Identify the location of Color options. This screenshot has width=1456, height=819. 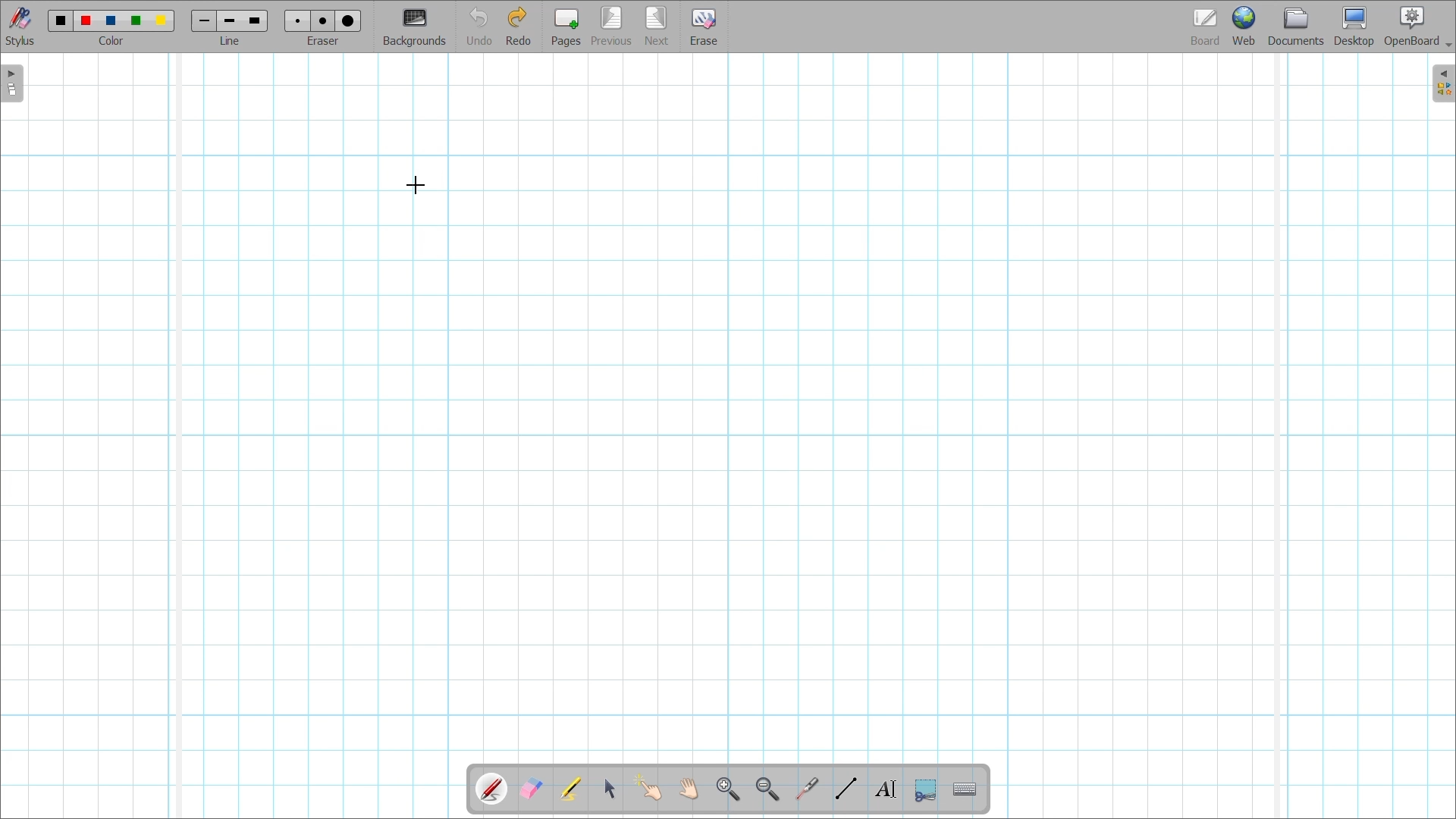
(111, 21).